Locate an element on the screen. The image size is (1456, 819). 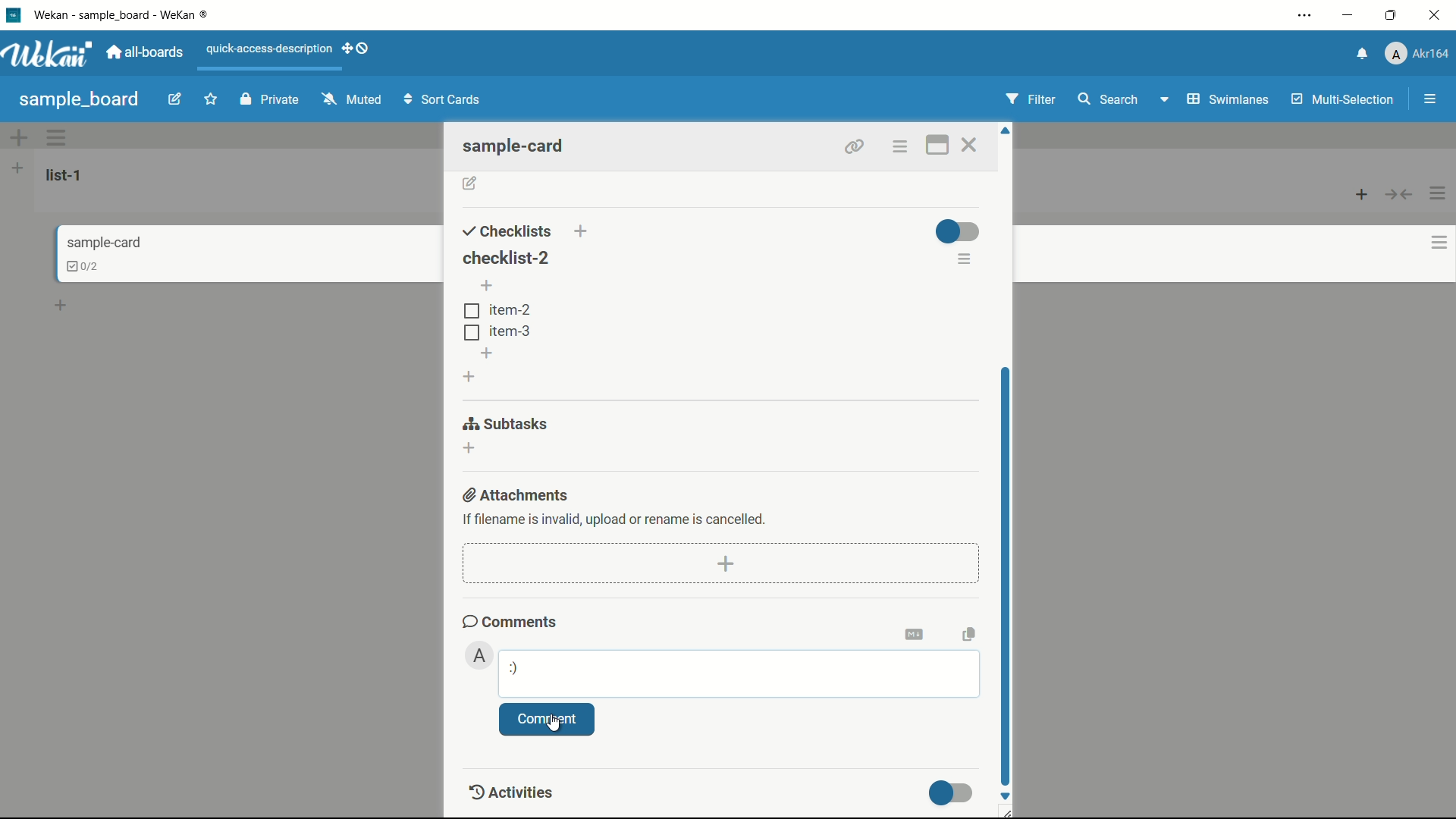
attachments is located at coordinates (518, 494).